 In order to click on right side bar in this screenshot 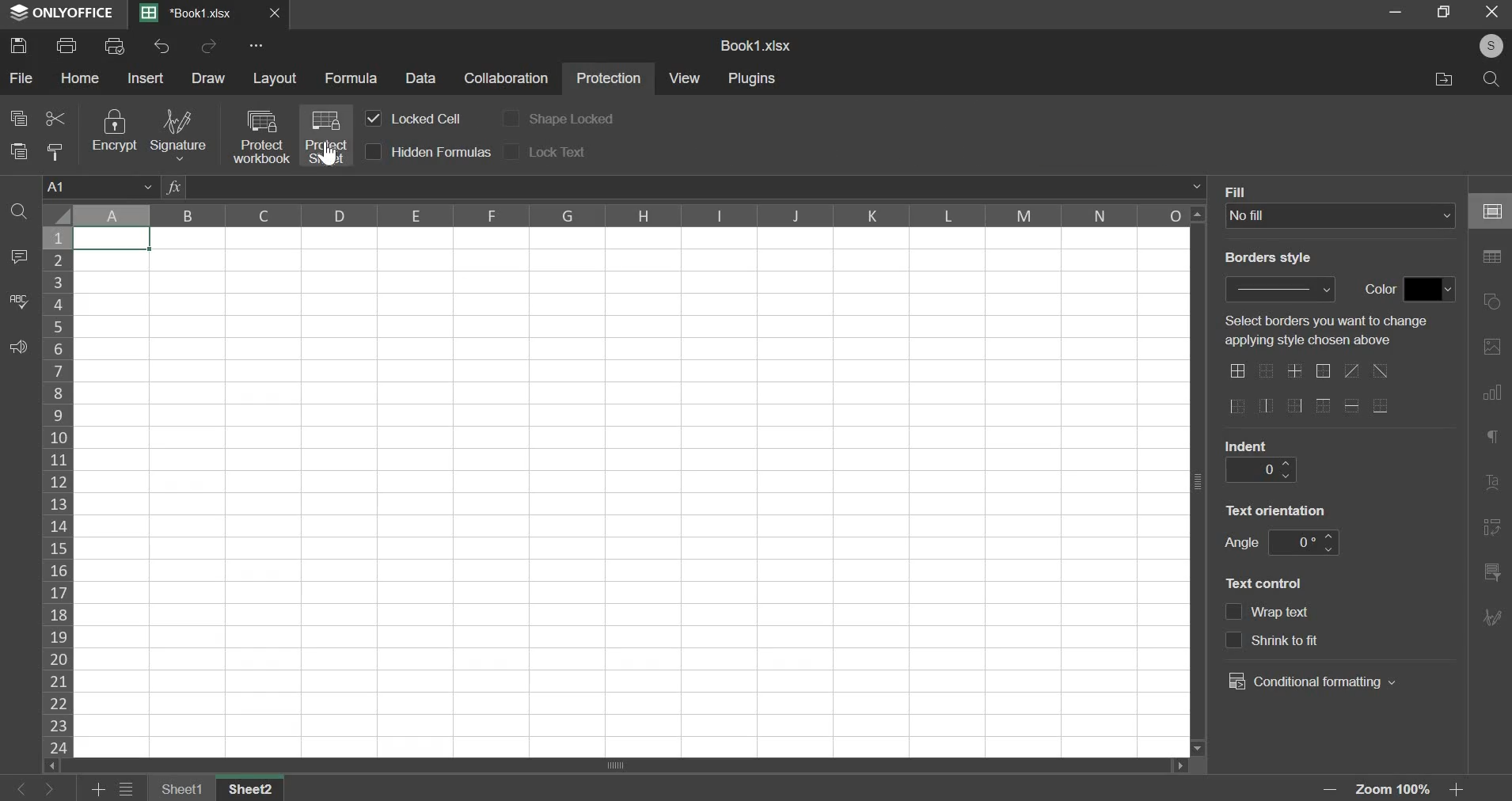, I will do `click(1492, 302)`.